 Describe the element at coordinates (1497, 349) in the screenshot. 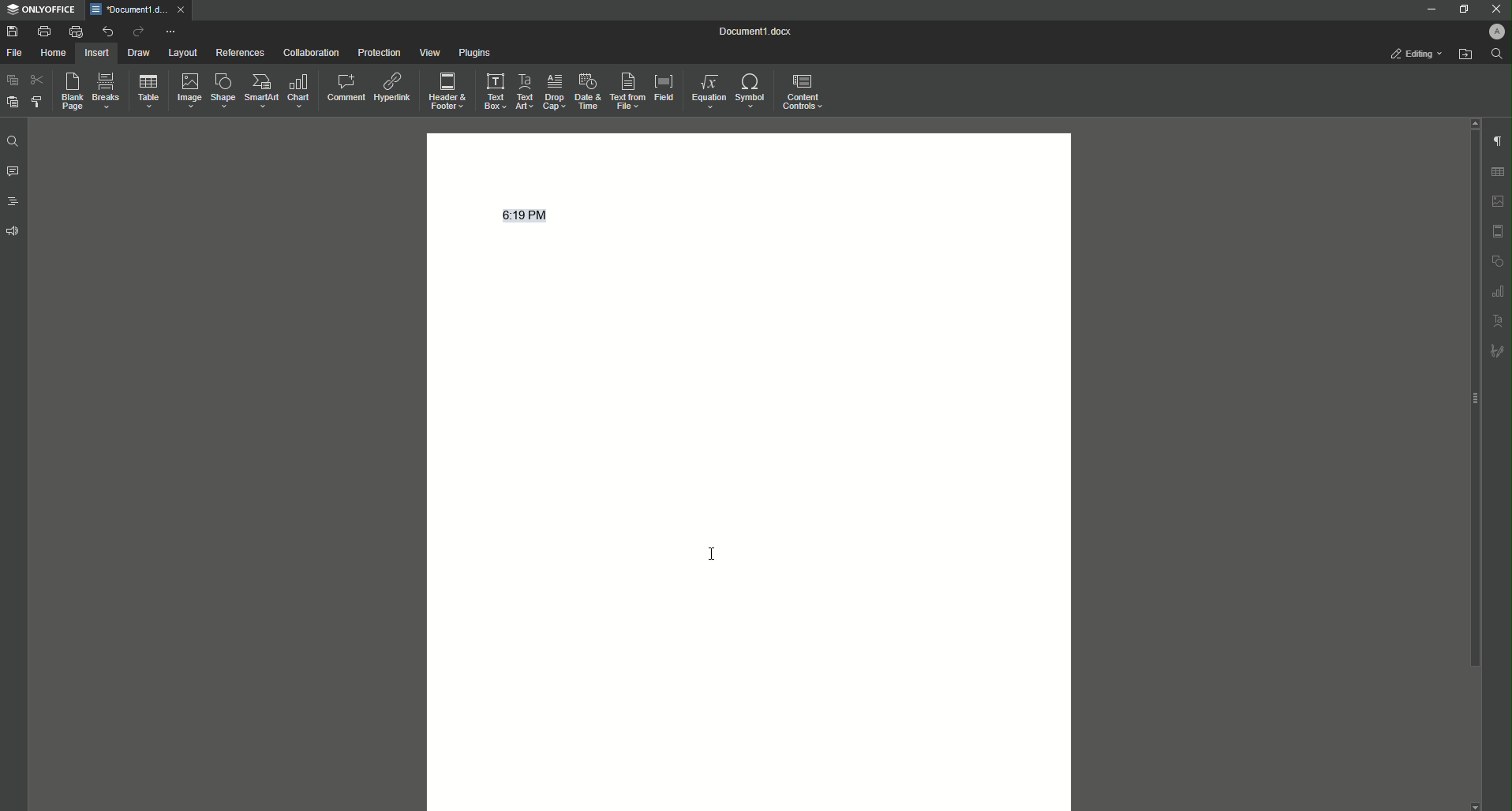

I see `signature settings` at that location.